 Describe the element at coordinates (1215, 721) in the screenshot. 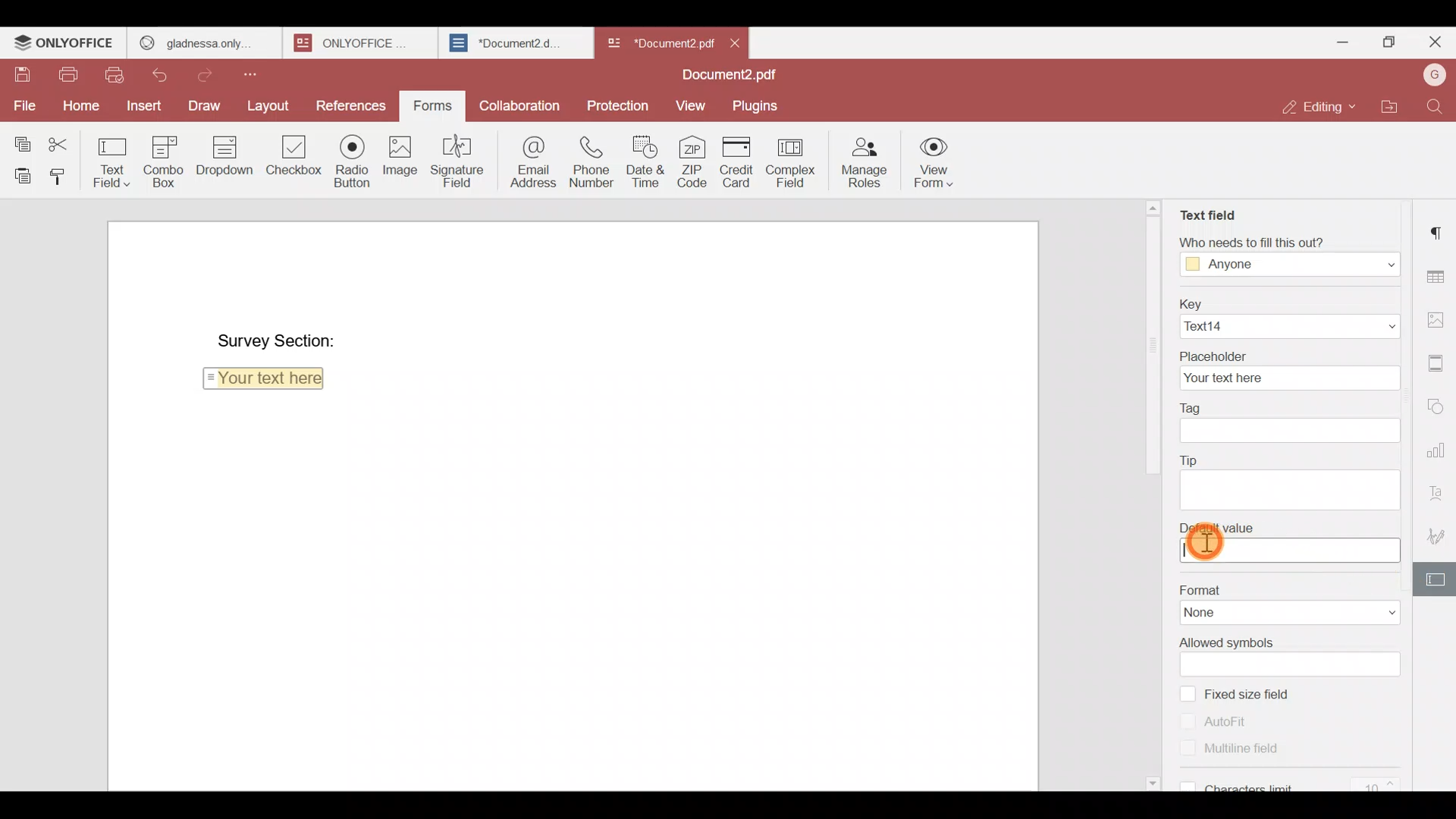

I see `Autofit` at that location.